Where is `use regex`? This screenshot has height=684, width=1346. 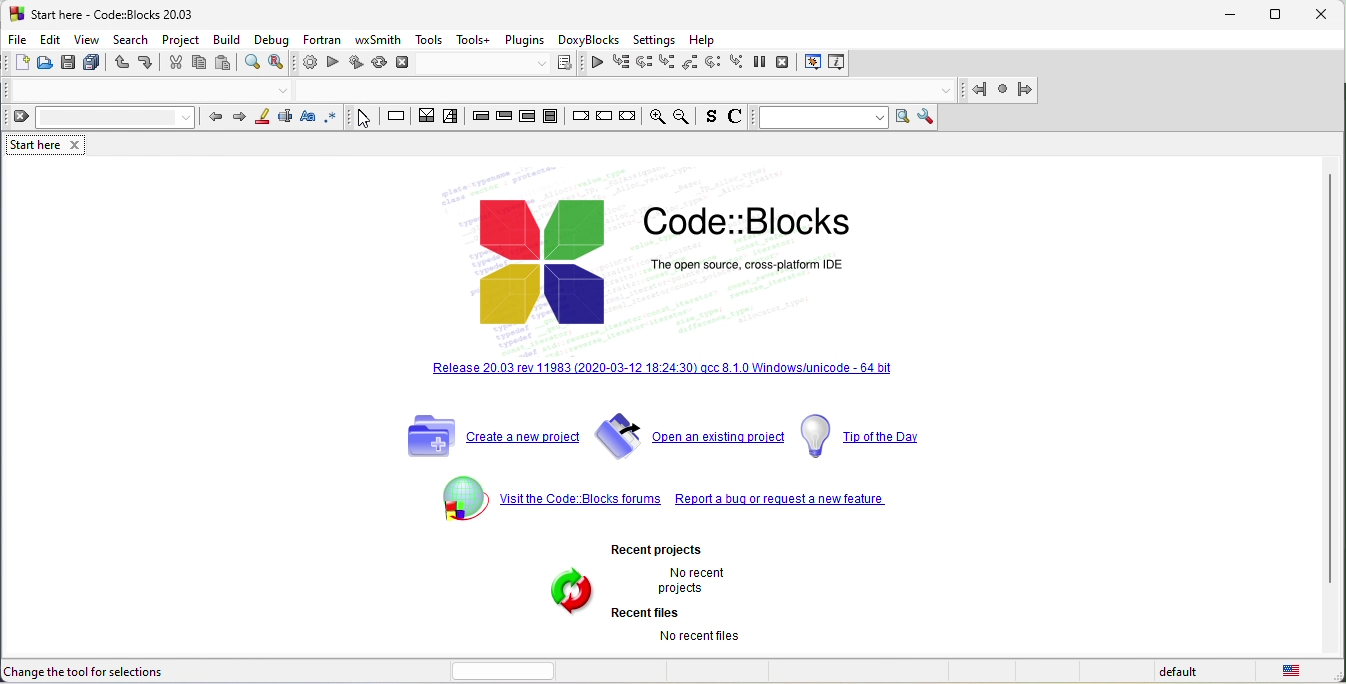 use regex is located at coordinates (334, 118).